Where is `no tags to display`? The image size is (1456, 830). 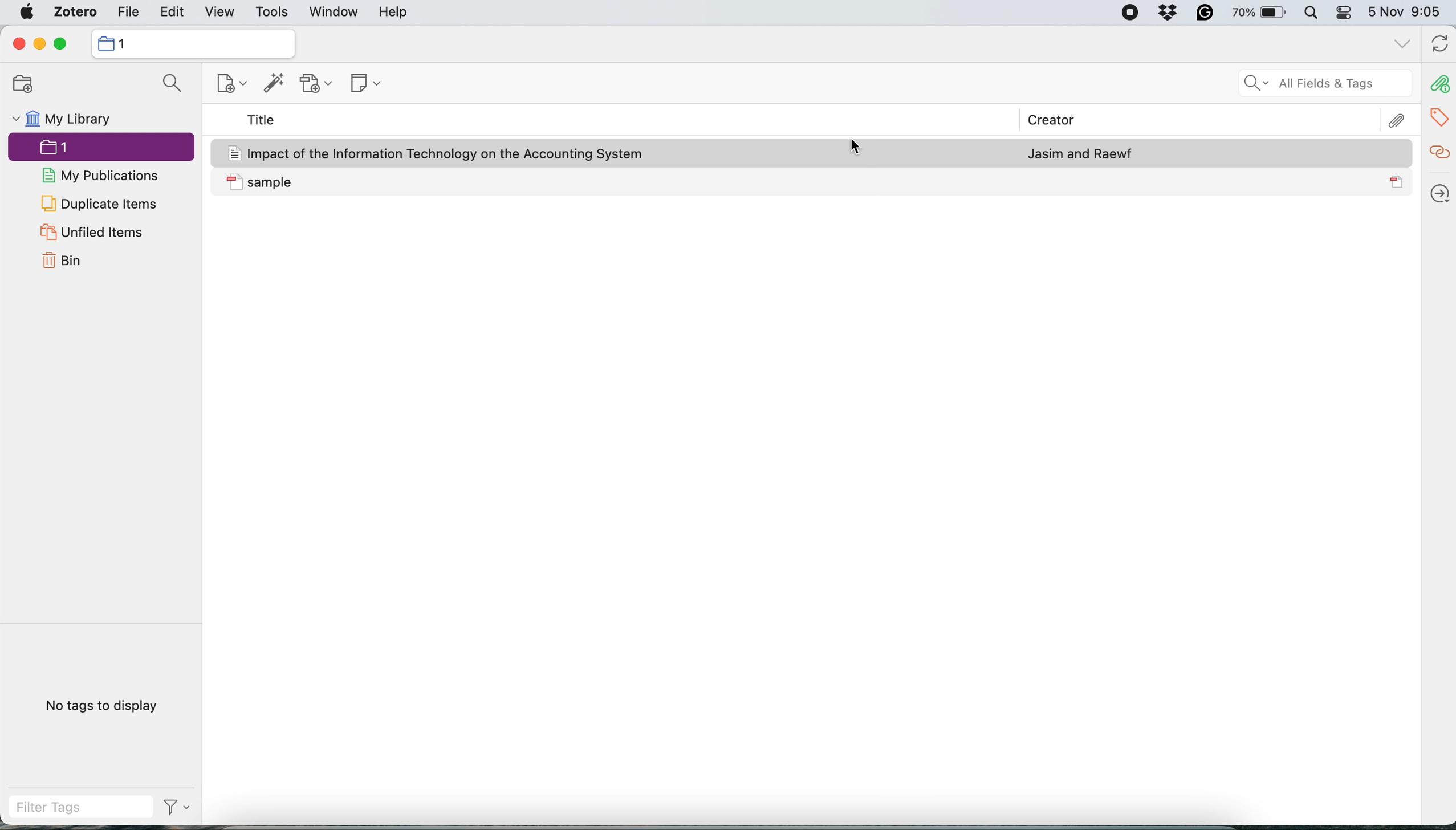
no tags to display is located at coordinates (104, 705).